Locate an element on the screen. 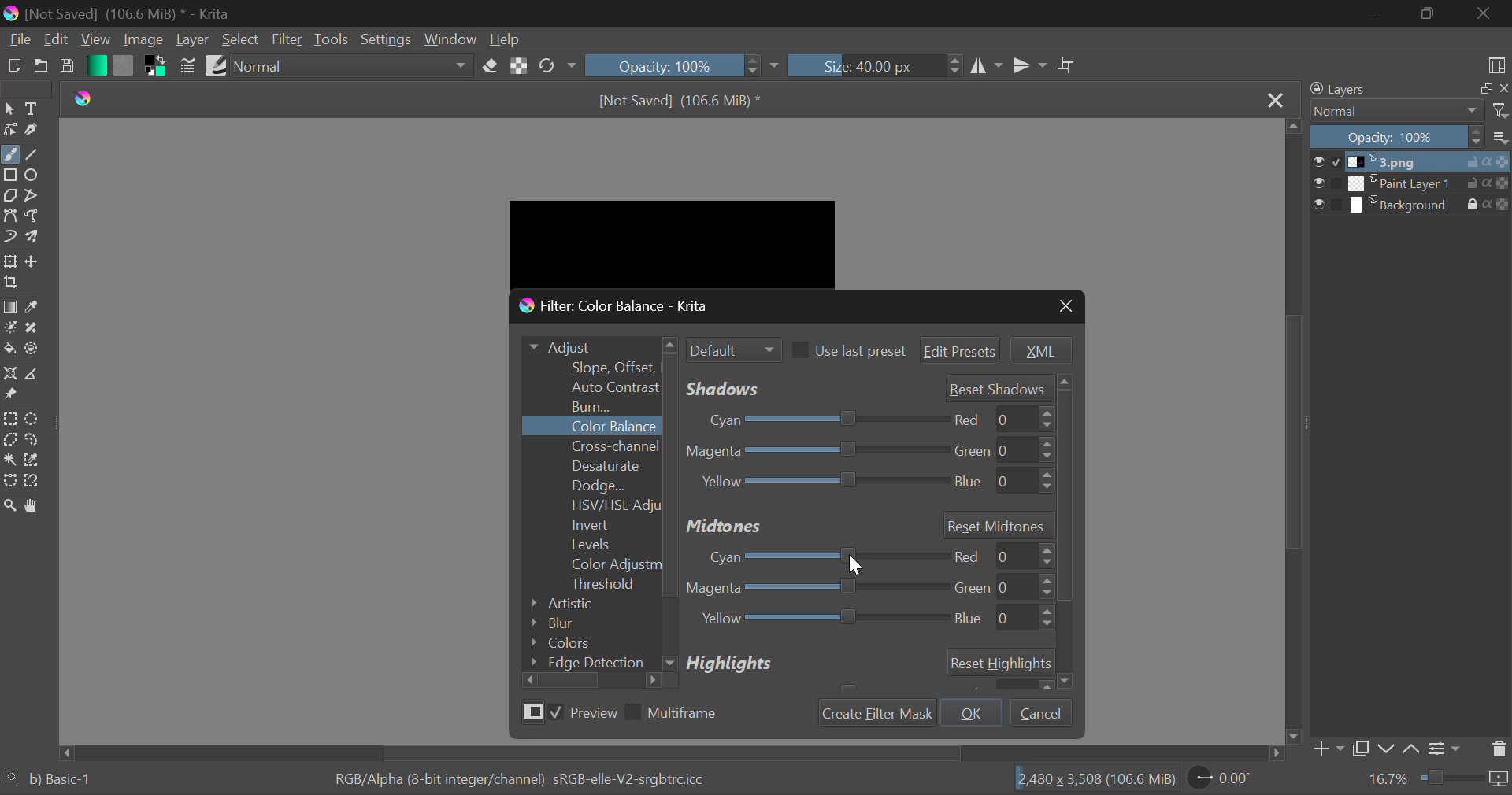  Polylines is located at coordinates (32, 198).